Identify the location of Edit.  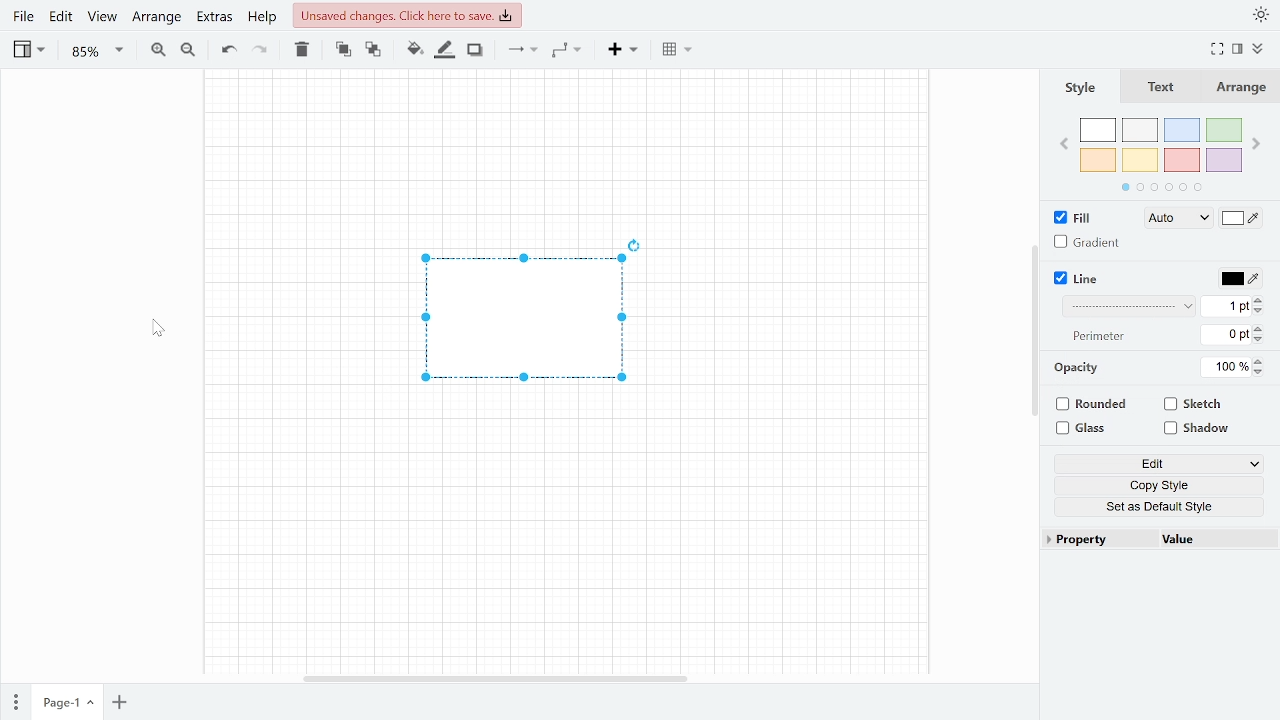
(1160, 465).